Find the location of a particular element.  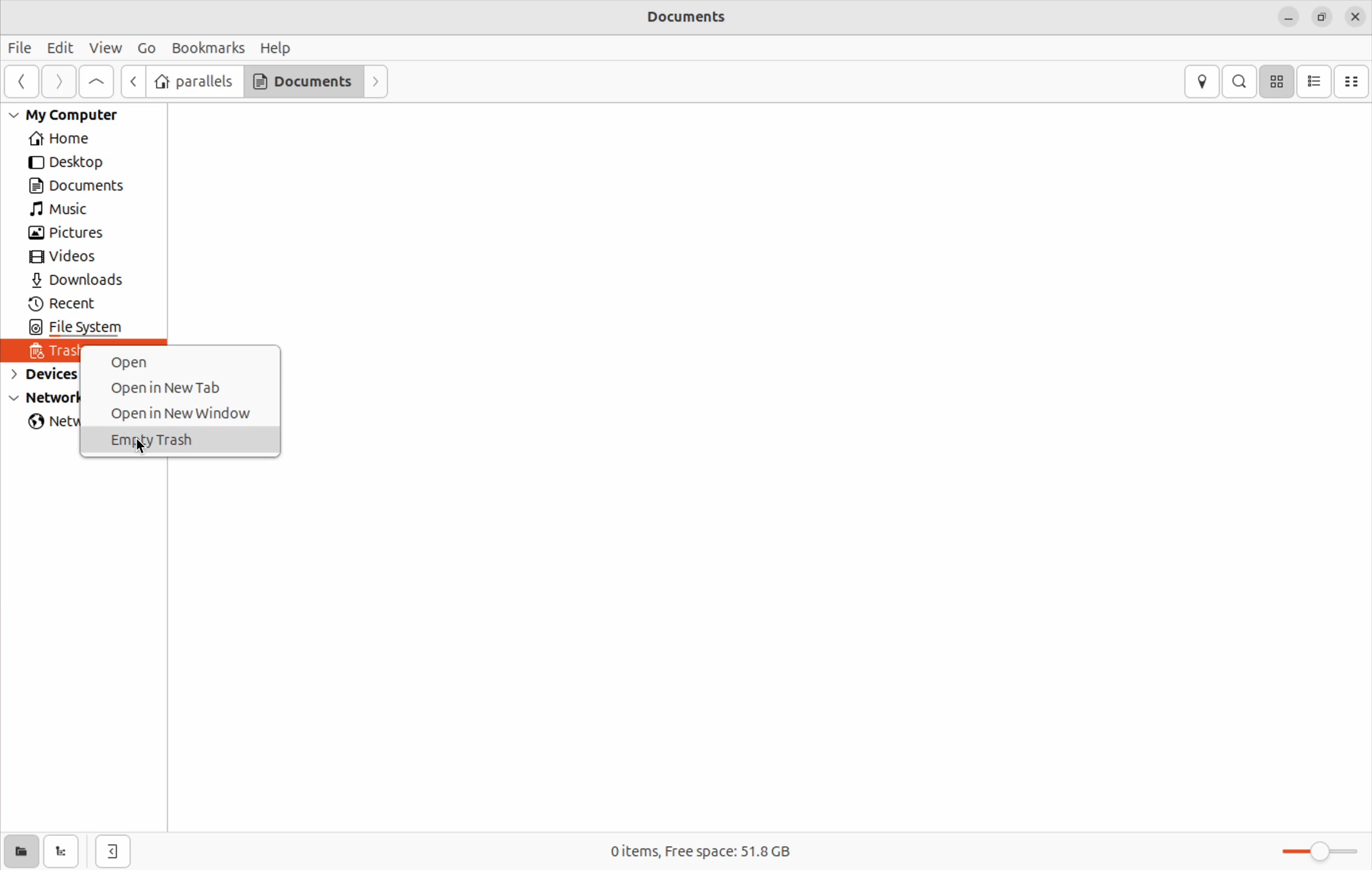

hide side bar is located at coordinates (112, 852).